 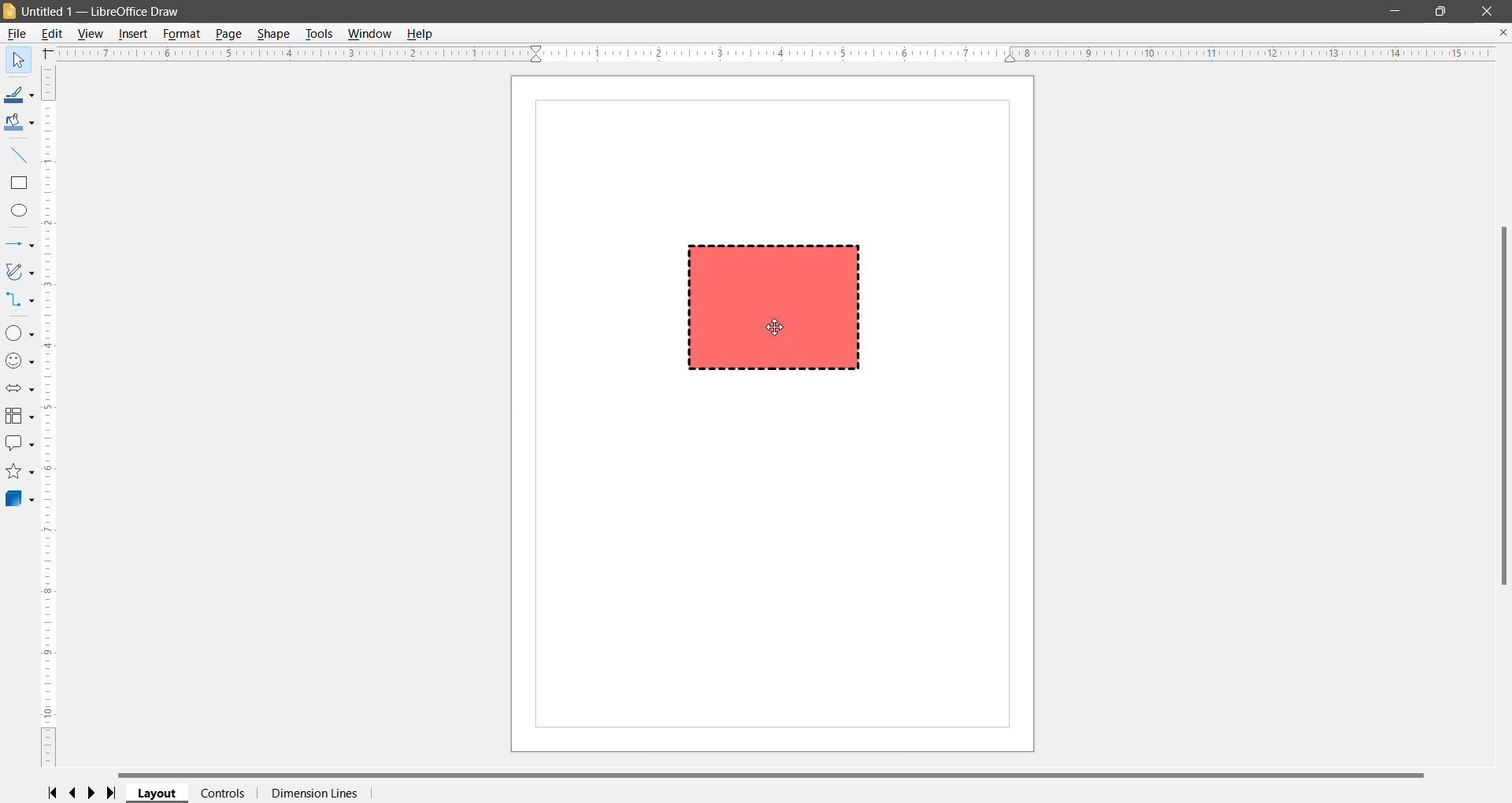 What do you see at coordinates (16, 35) in the screenshot?
I see `File` at bounding box center [16, 35].